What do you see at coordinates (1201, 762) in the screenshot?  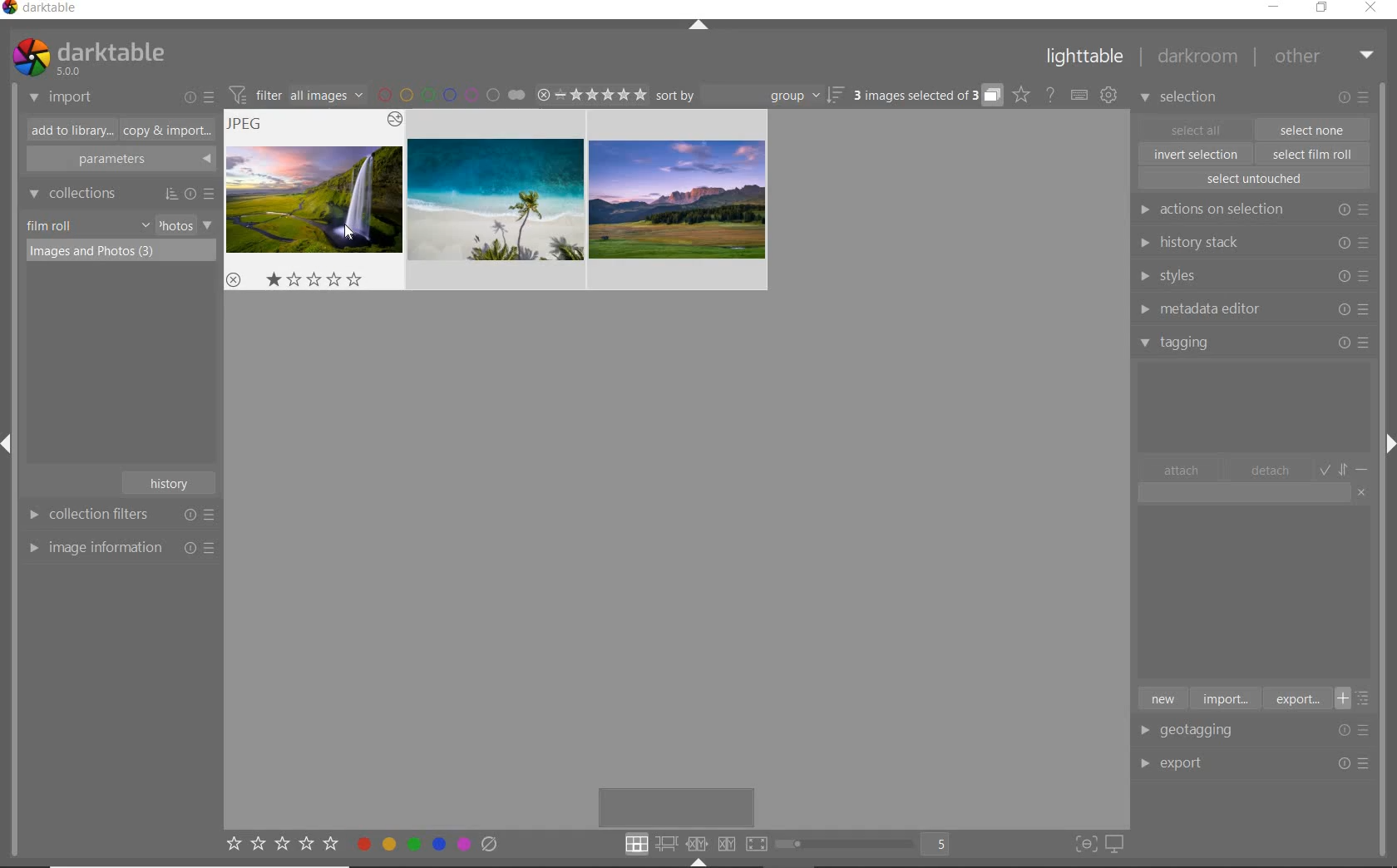 I see `export` at bounding box center [1201, 762].